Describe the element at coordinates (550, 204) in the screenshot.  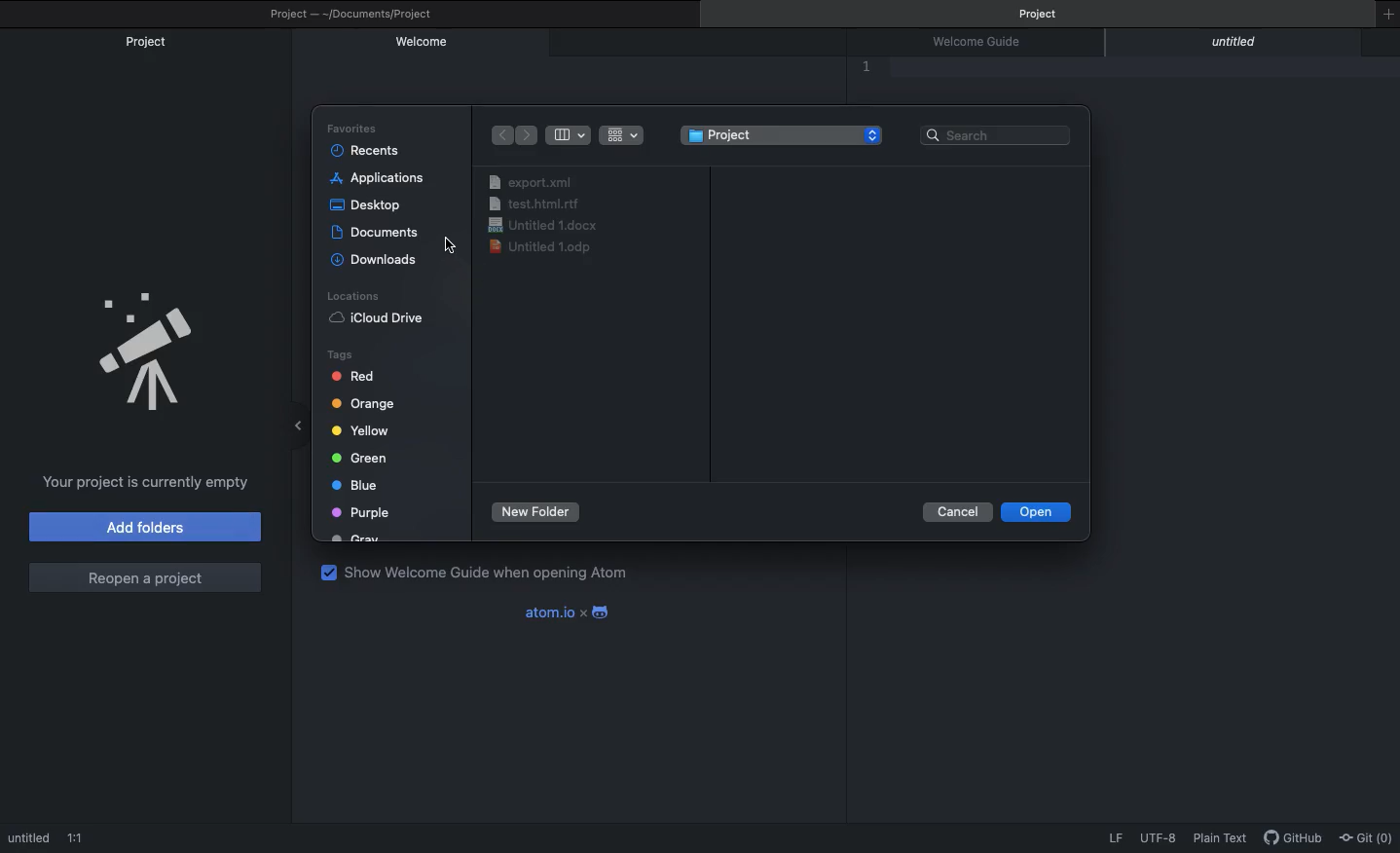
I see `` at that location.